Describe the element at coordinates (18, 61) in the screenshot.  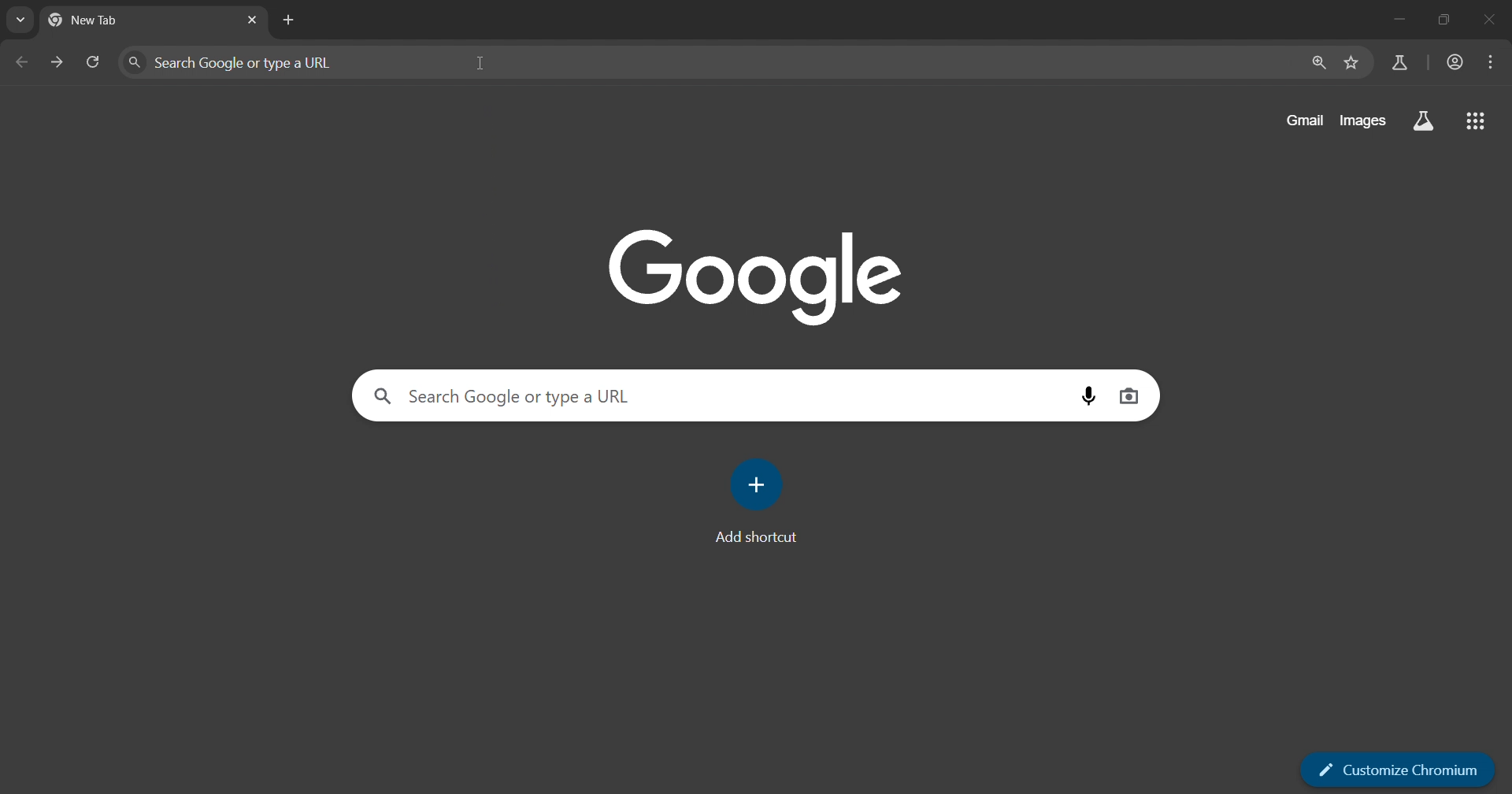
I see `go back one page` at that location.